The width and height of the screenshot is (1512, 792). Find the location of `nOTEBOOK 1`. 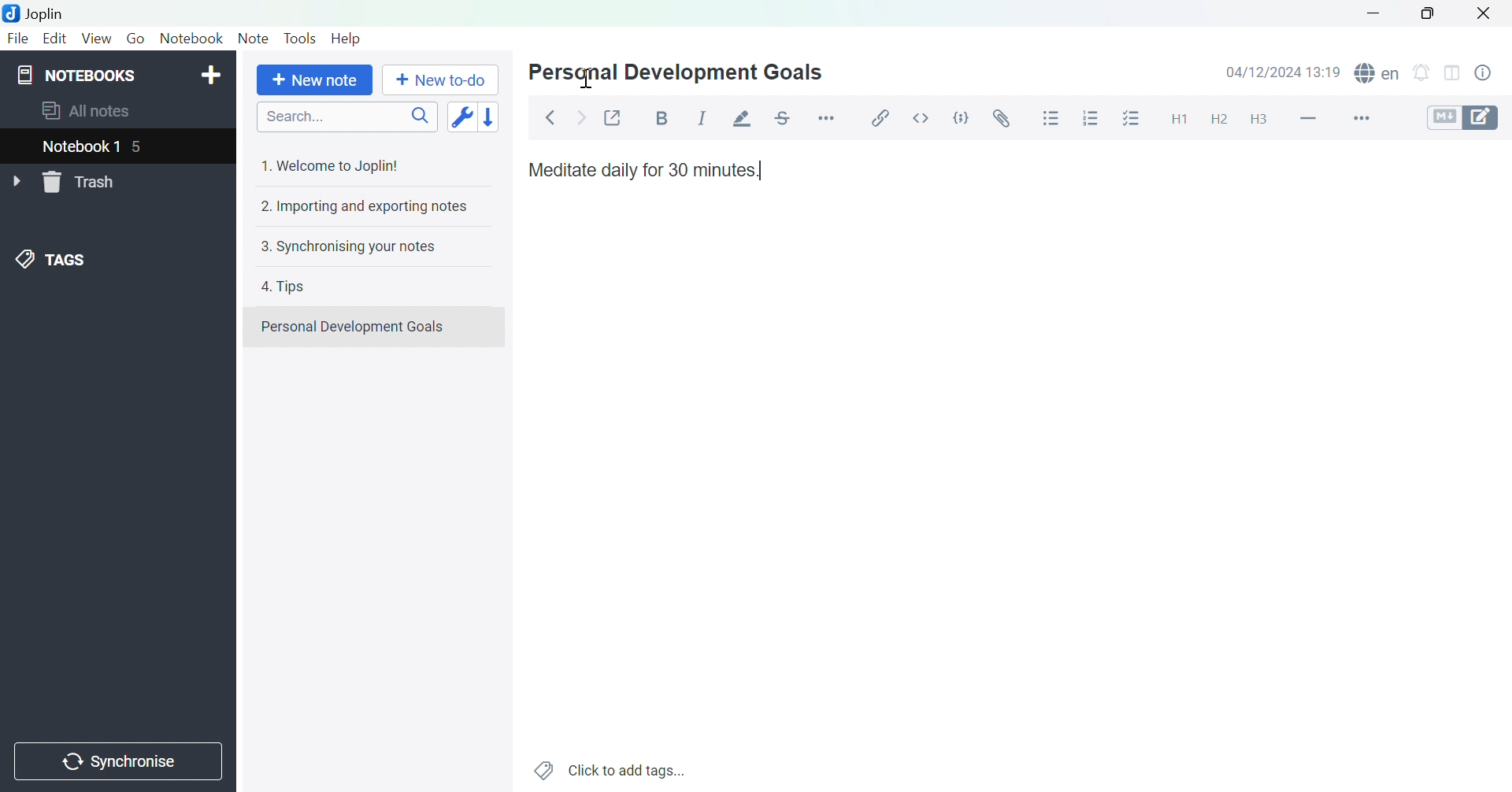

nOTEBOOK 1 is located at coordinates (83, 146).